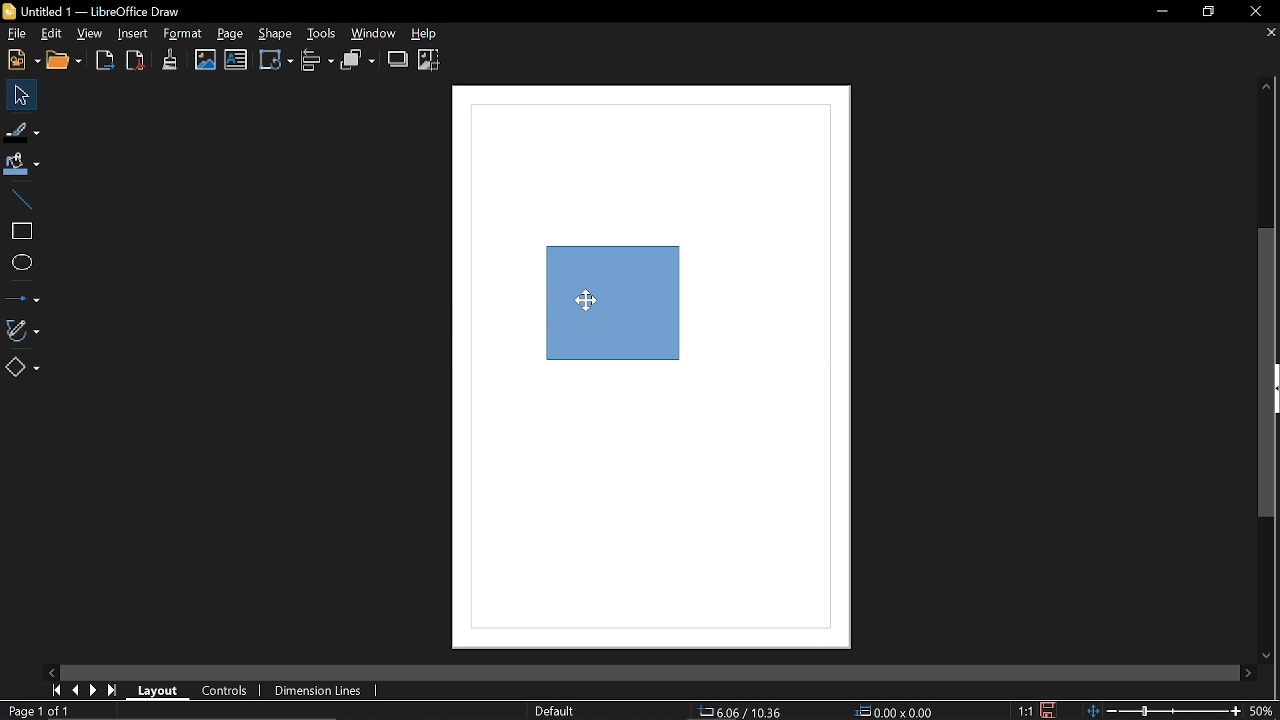  What do you see at coordinates (276, 62) in the screenshot?
I see `Transformation` at bounding box center [276, 62].